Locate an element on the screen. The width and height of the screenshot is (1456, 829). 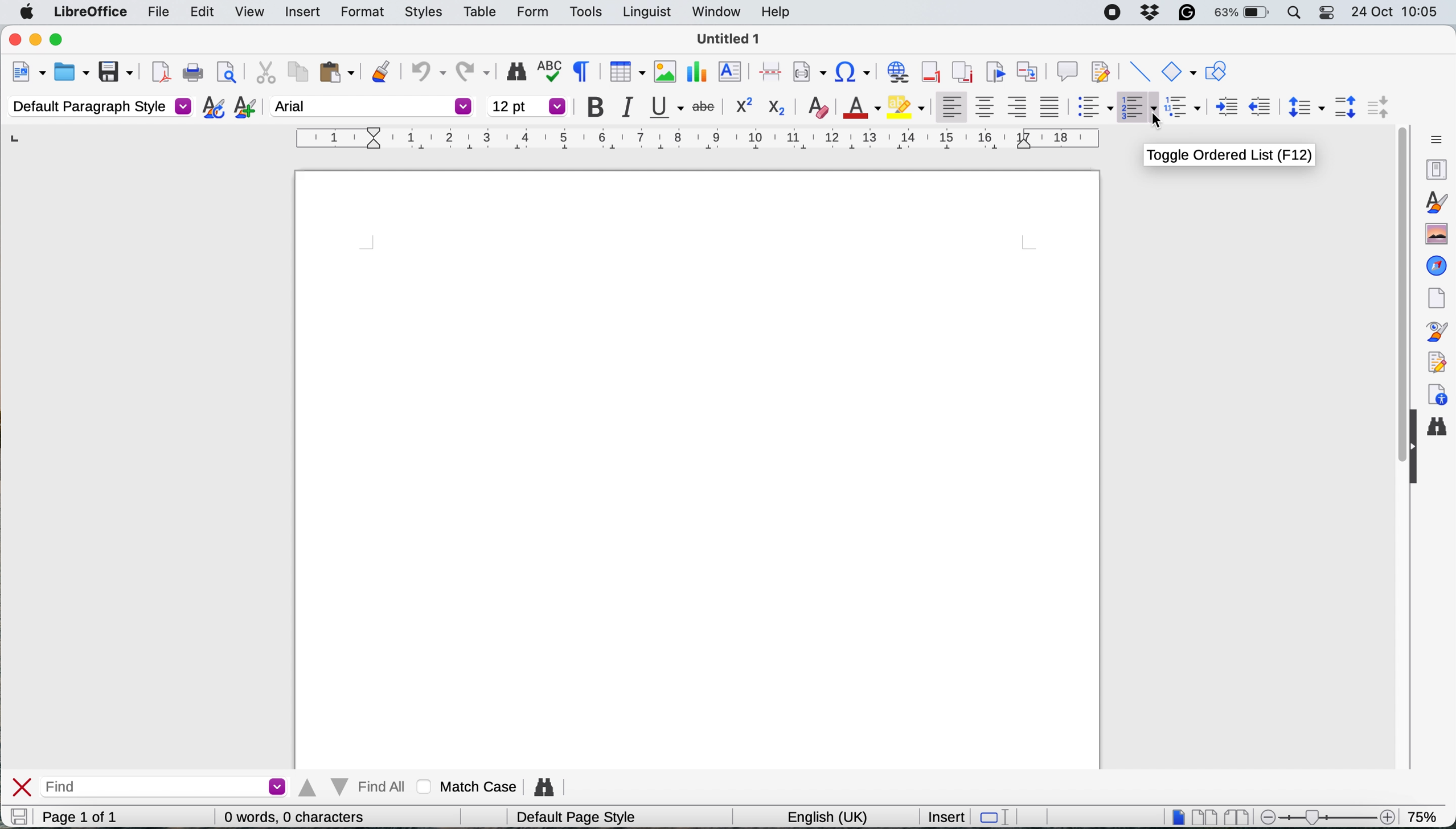
default page style is located at coordinates (581, 818).